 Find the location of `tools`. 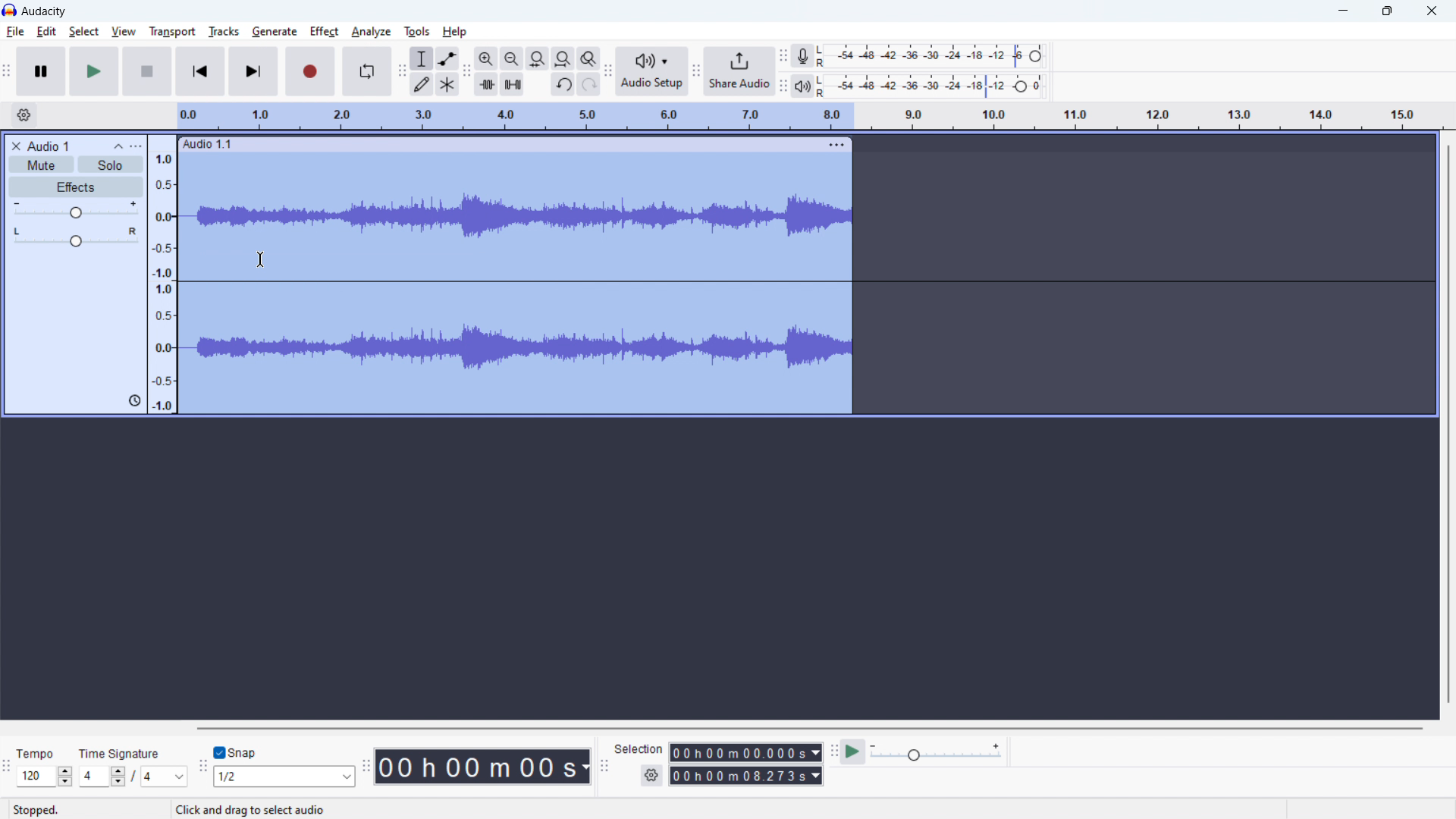

tools is located at coordinates (417, 31).